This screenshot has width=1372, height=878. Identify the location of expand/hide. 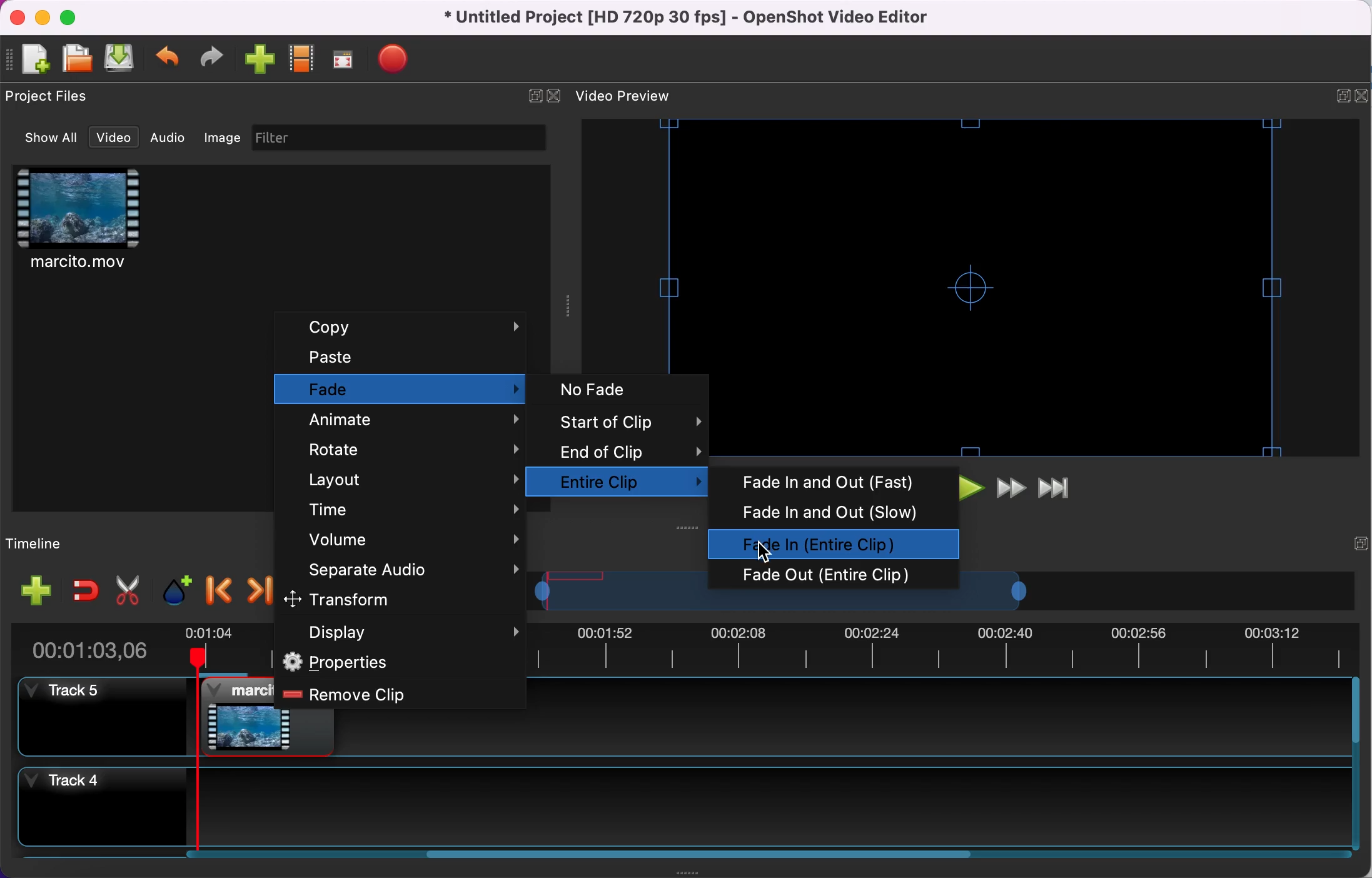
(1321, 95).